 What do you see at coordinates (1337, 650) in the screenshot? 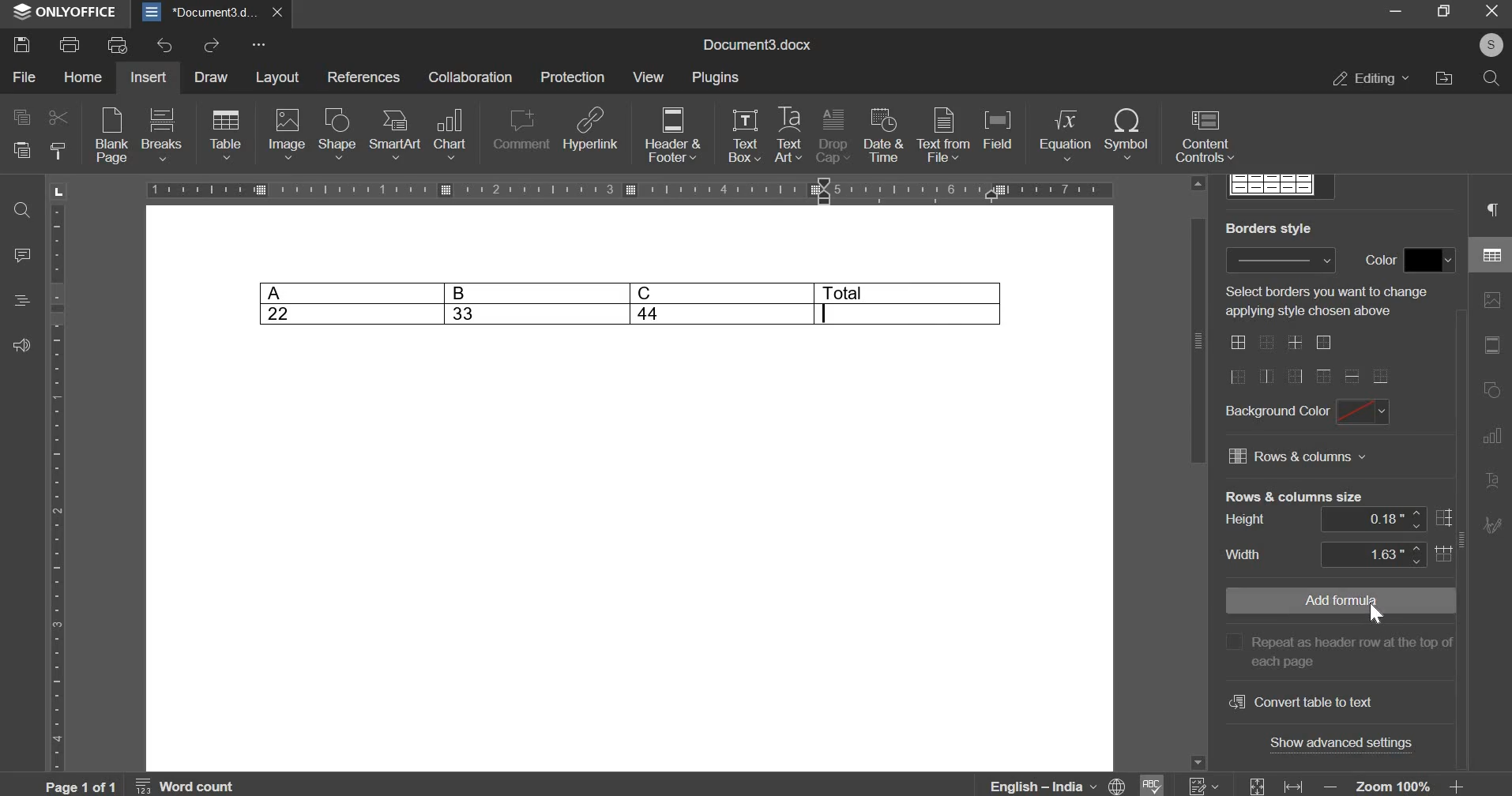
I see `Repeat as header row at the top of each page` at bounding box center [1337, 650].